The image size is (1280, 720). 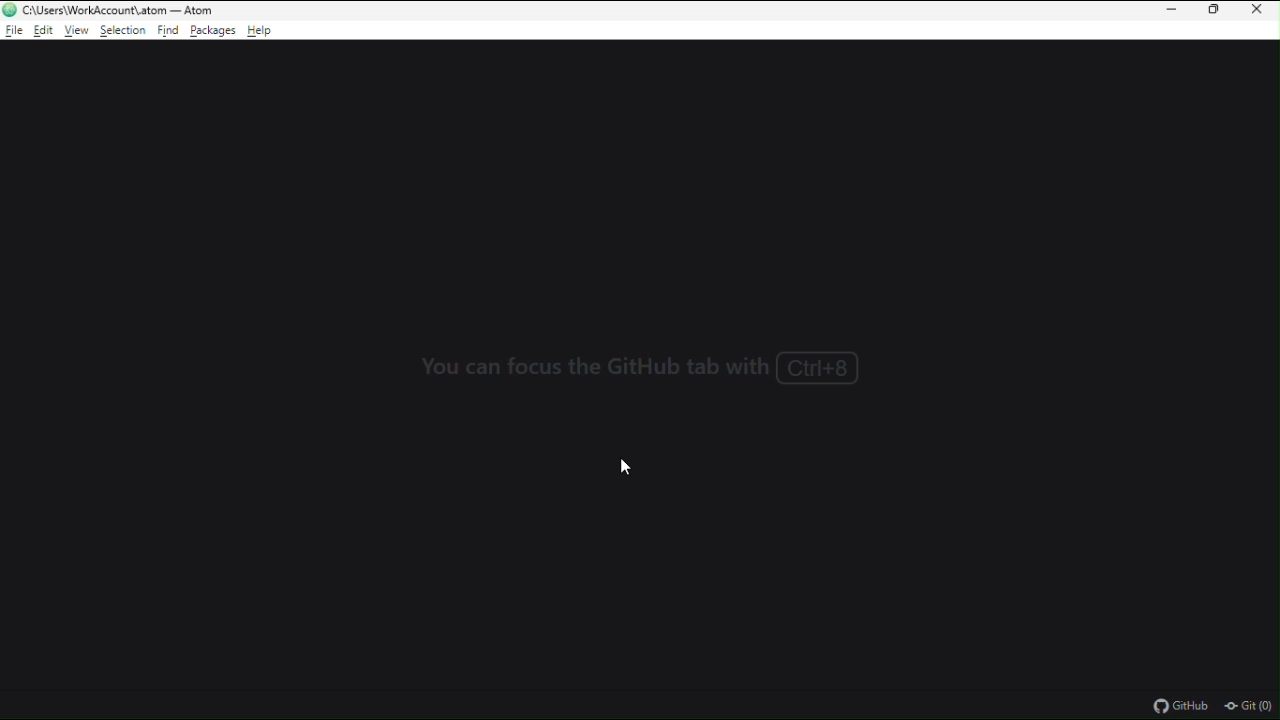 I want to click on Restore, so click(x=1216, y=12).